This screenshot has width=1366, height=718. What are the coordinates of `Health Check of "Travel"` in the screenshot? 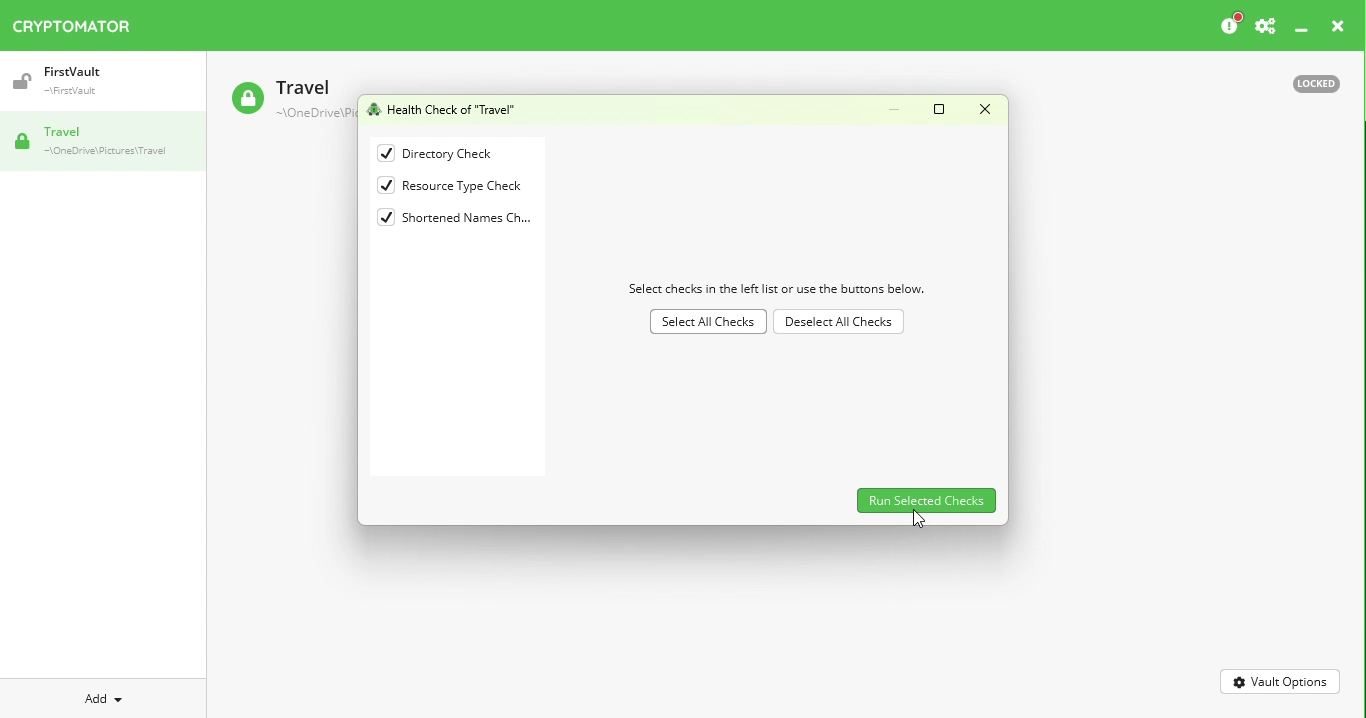 It's located at (442, 109).